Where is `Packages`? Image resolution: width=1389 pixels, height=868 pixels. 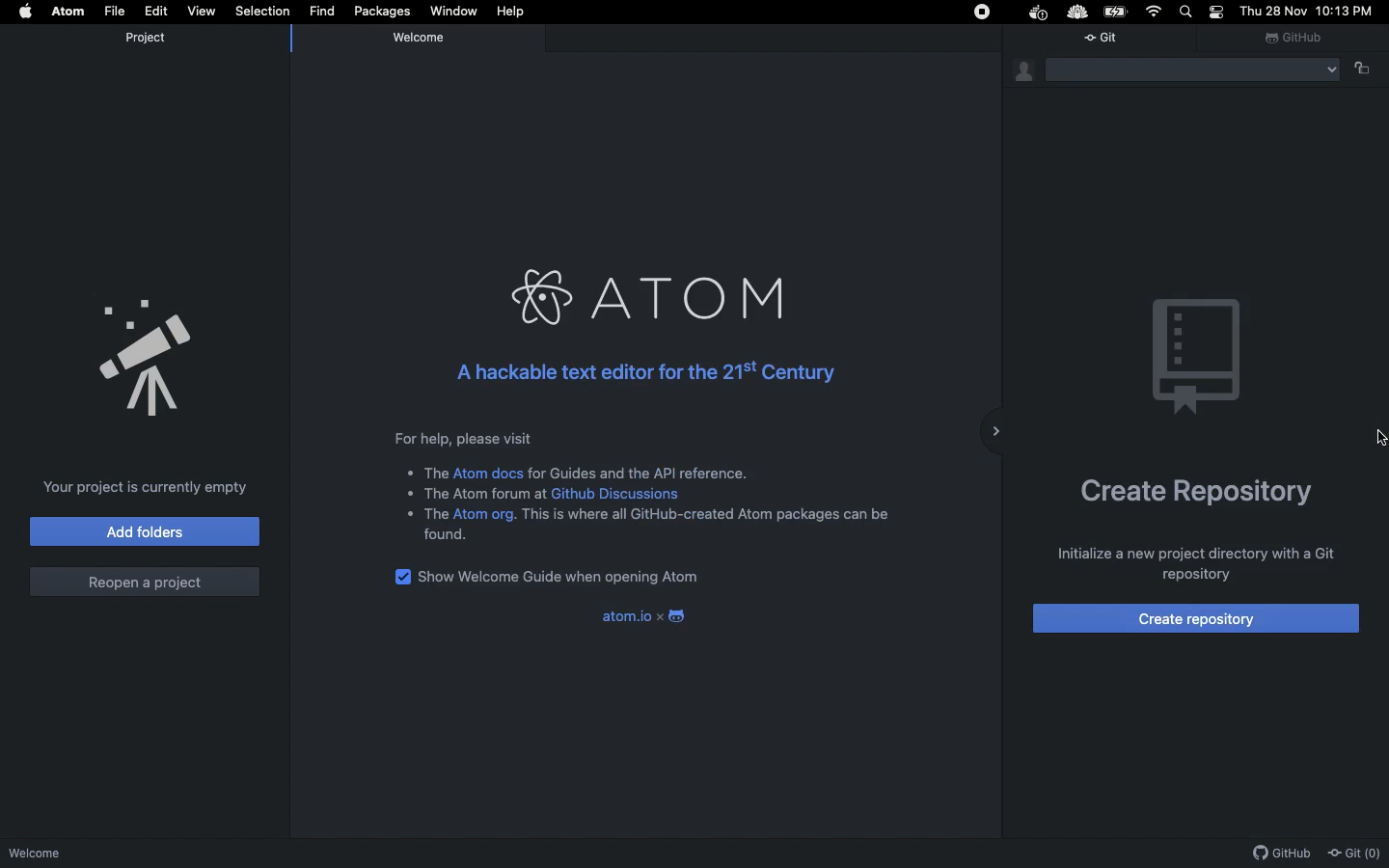 Packages is located at coordinates (383, 12).